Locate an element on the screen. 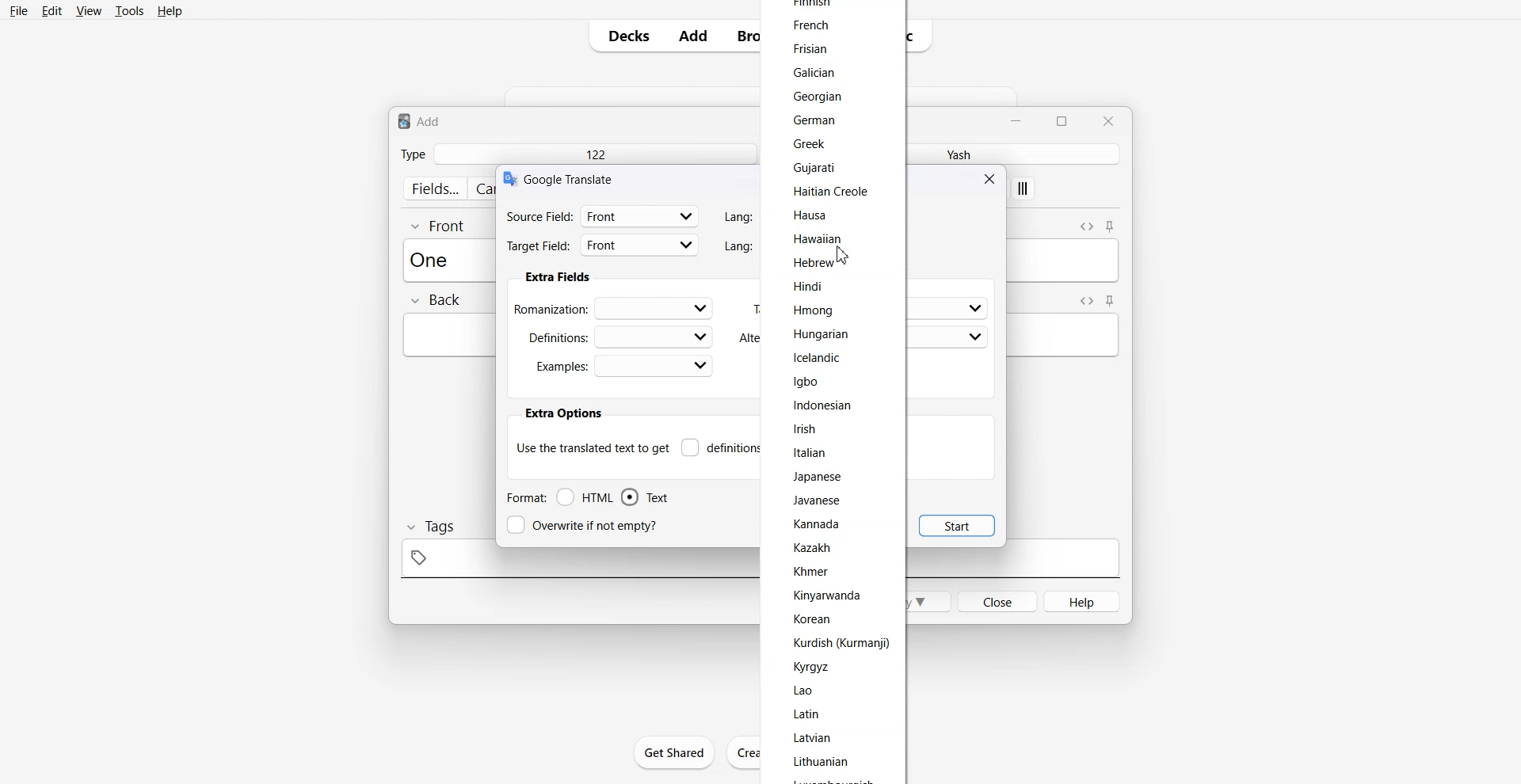 The image size is (1521, 784). Gujarati is located at coordinates (822, 168).